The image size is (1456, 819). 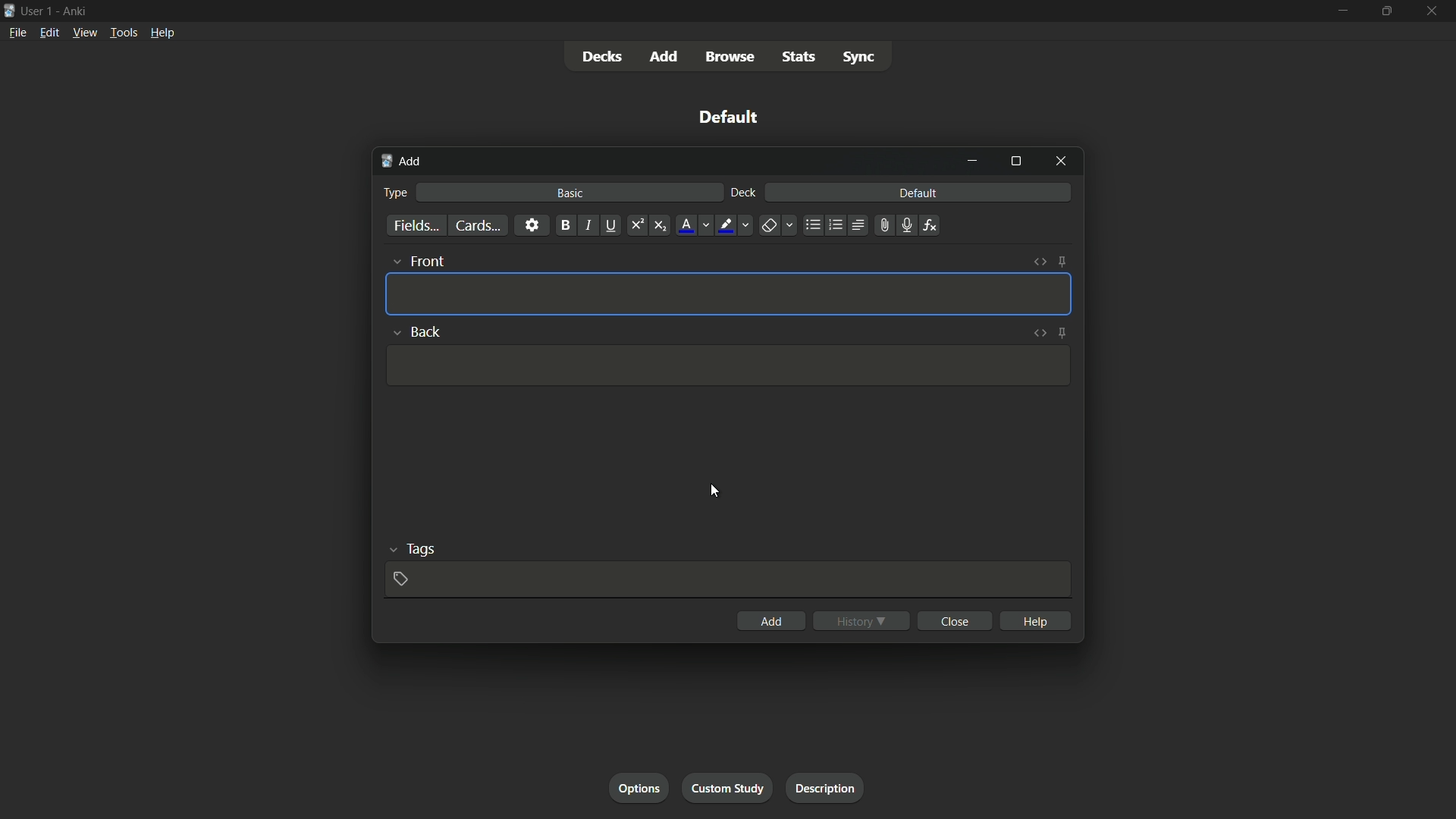 What do you see at coordinates (859, 57) in the screenshot?
I see `sync` at bounding box center [859, 57].